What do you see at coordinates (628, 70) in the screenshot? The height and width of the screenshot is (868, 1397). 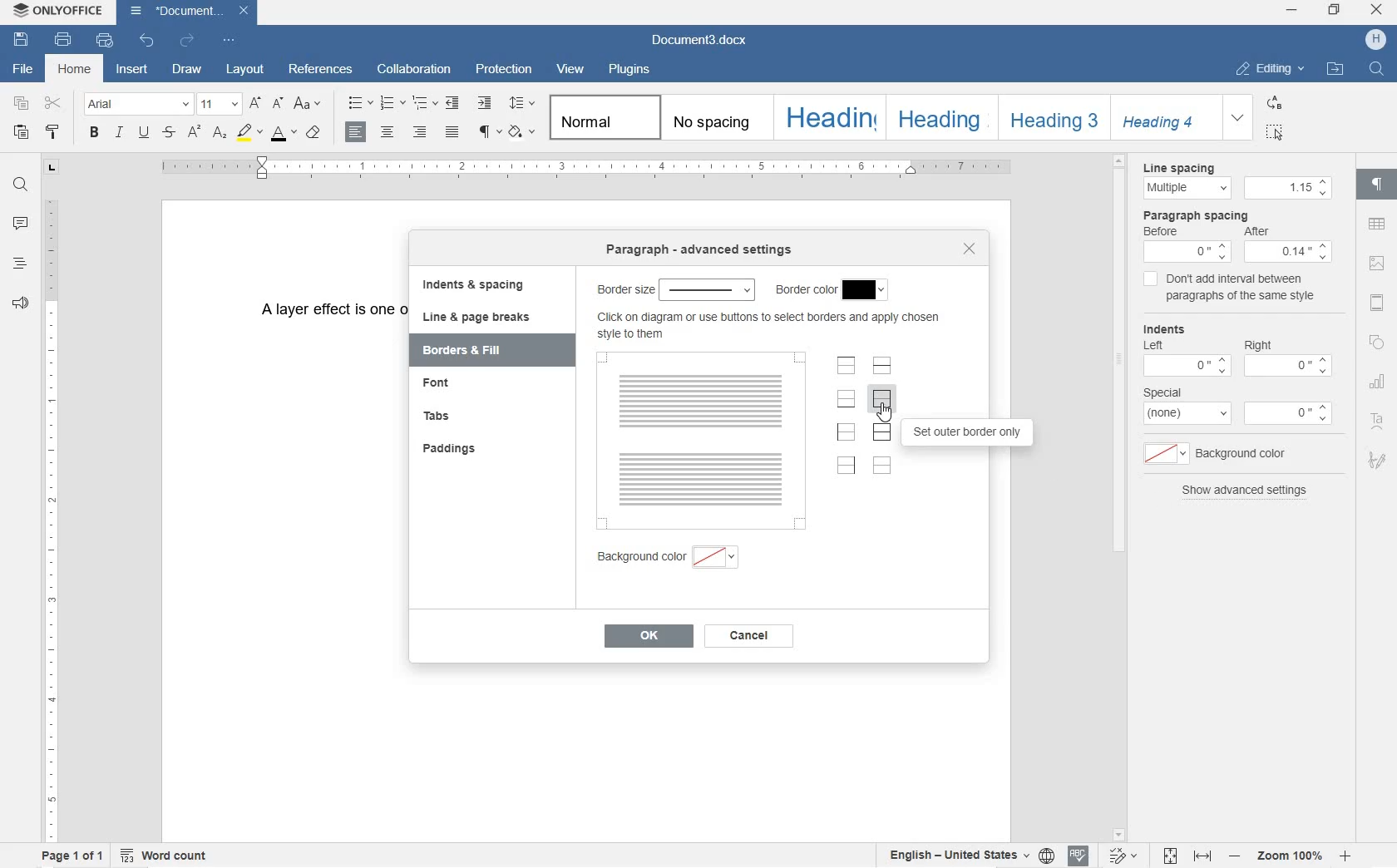 I see `PLUGINS` at bounding box center [628, 70].